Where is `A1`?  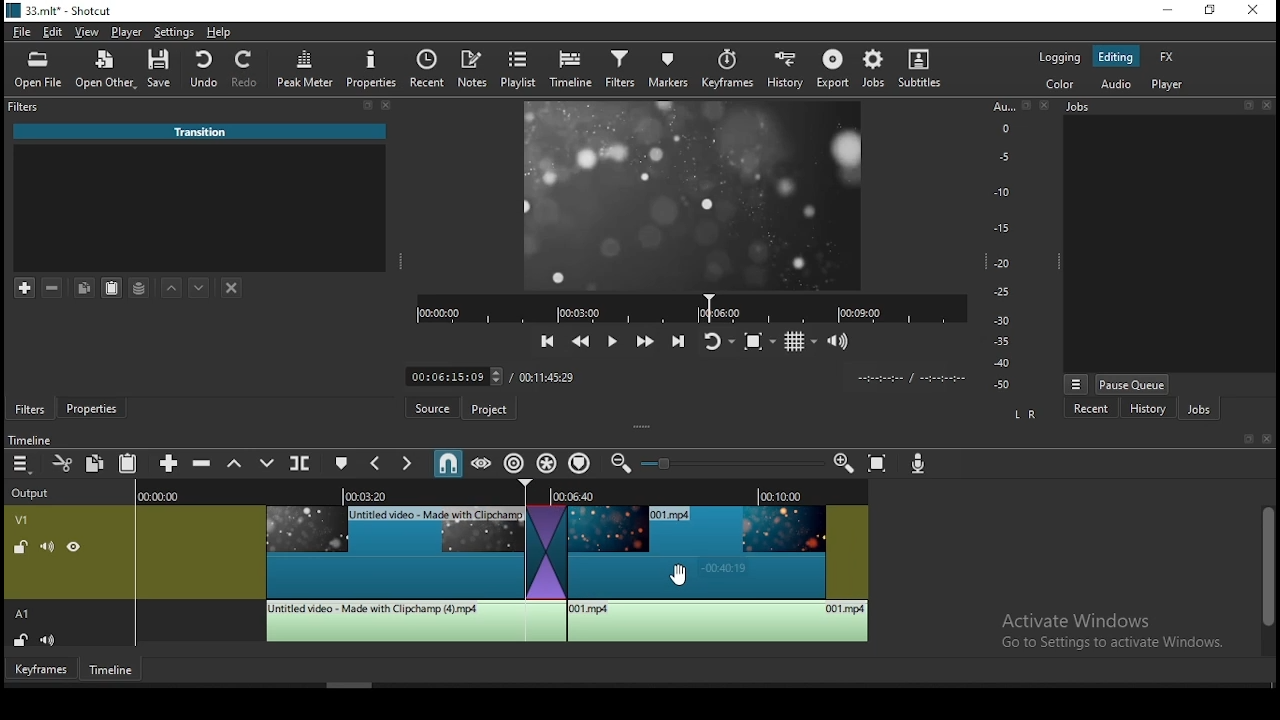 A1 is located at coordinates (26, 614).